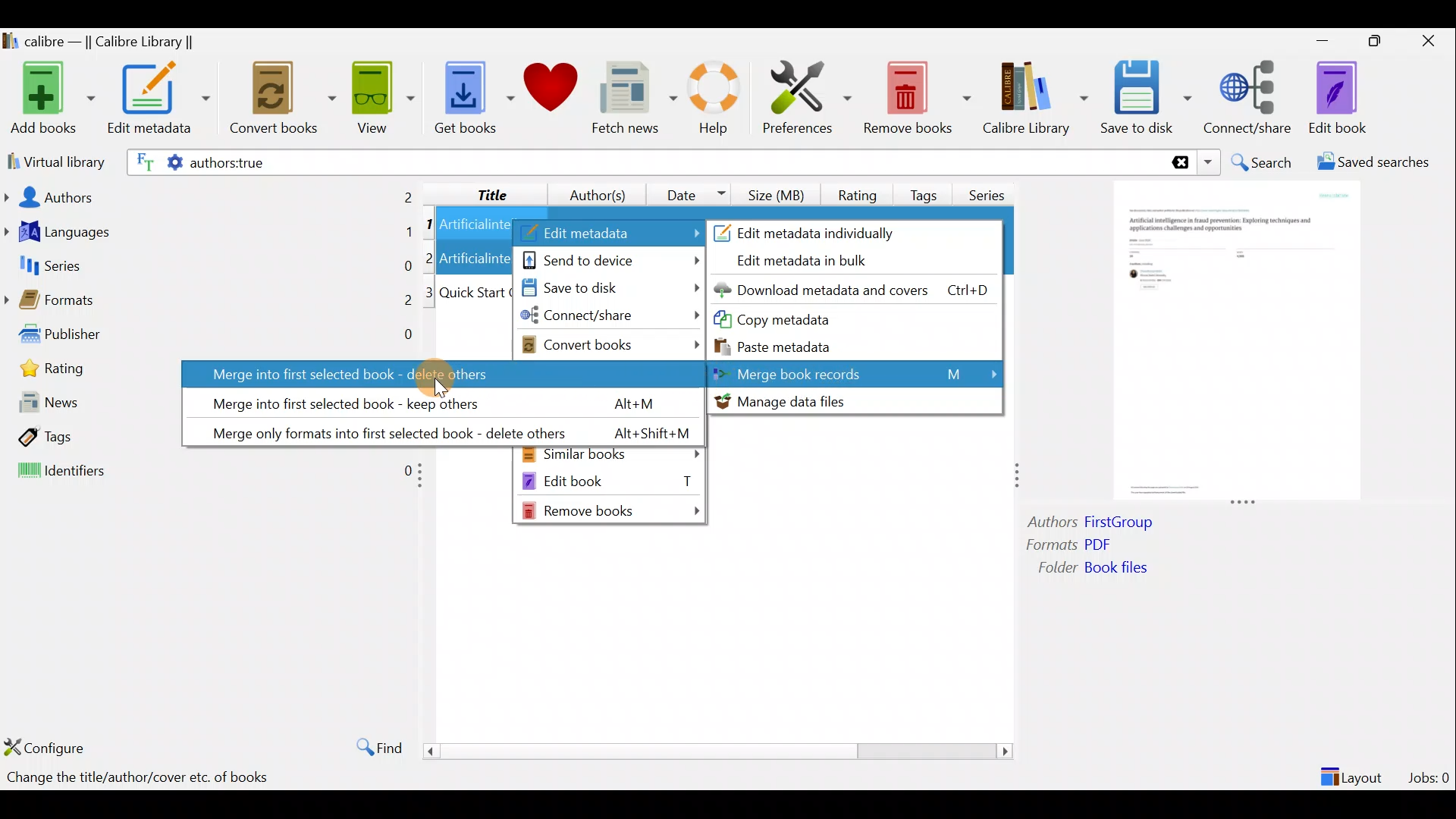 This screenshot has height=819, width=1456. Describe the element at coordinates (440, 430) in the screenshot. I see `Merge only formats into first selected book - delete others  Alt+Shift+M` at that location.